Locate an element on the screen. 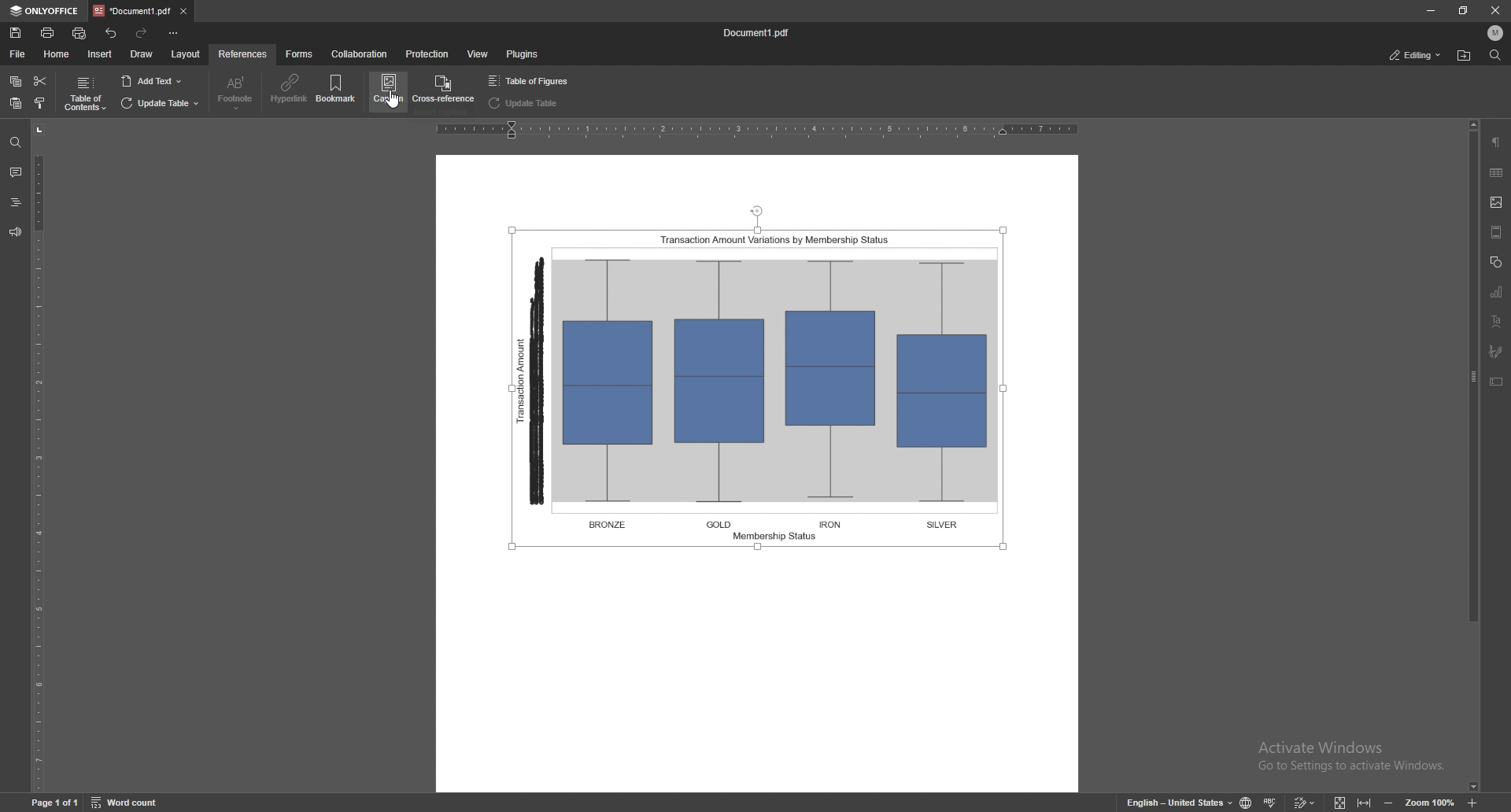  fit to width is located at coordinates (1365, 802).